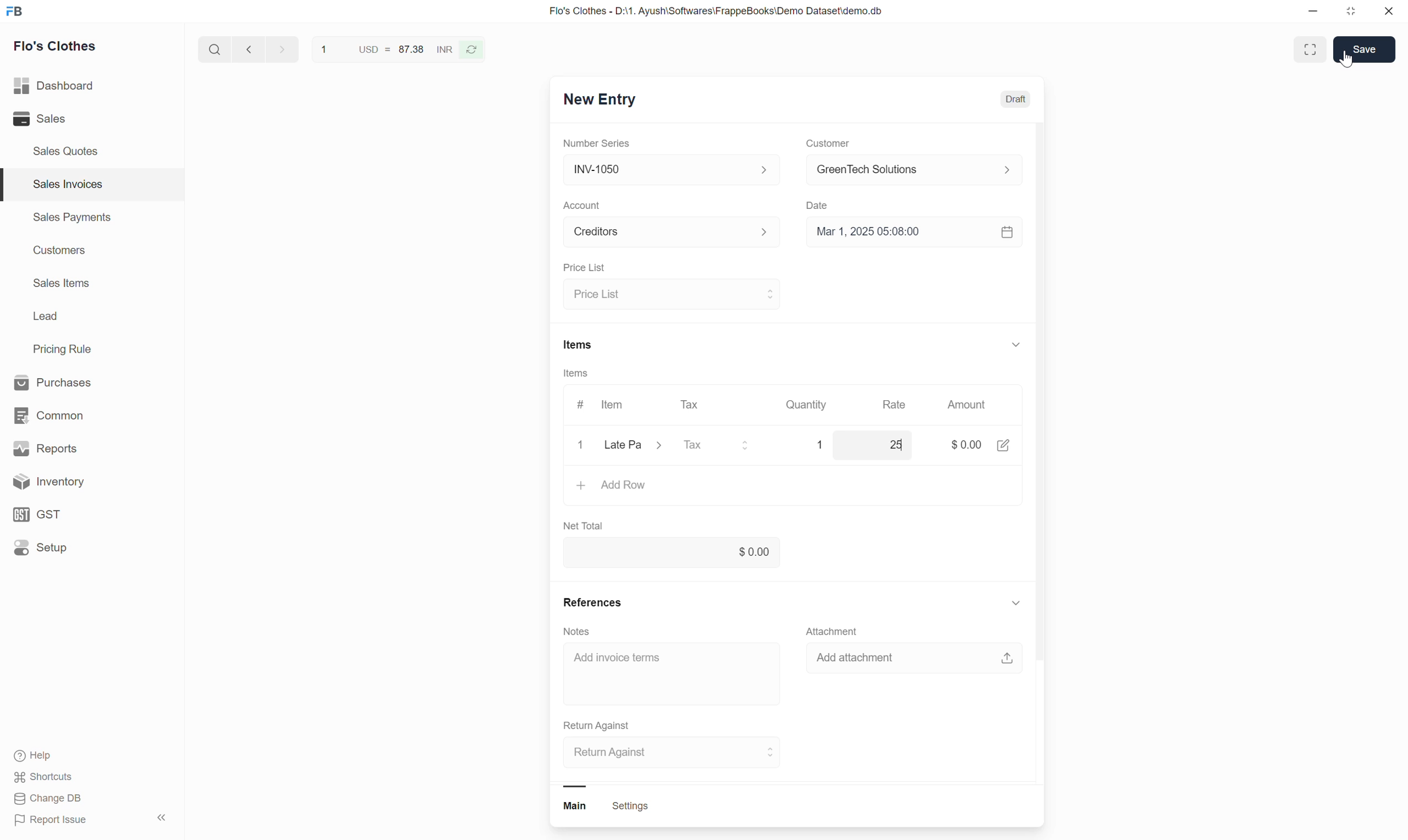  Describe the element at coordinates (475, 53) in the screenshot. I see `refresh` at that location.